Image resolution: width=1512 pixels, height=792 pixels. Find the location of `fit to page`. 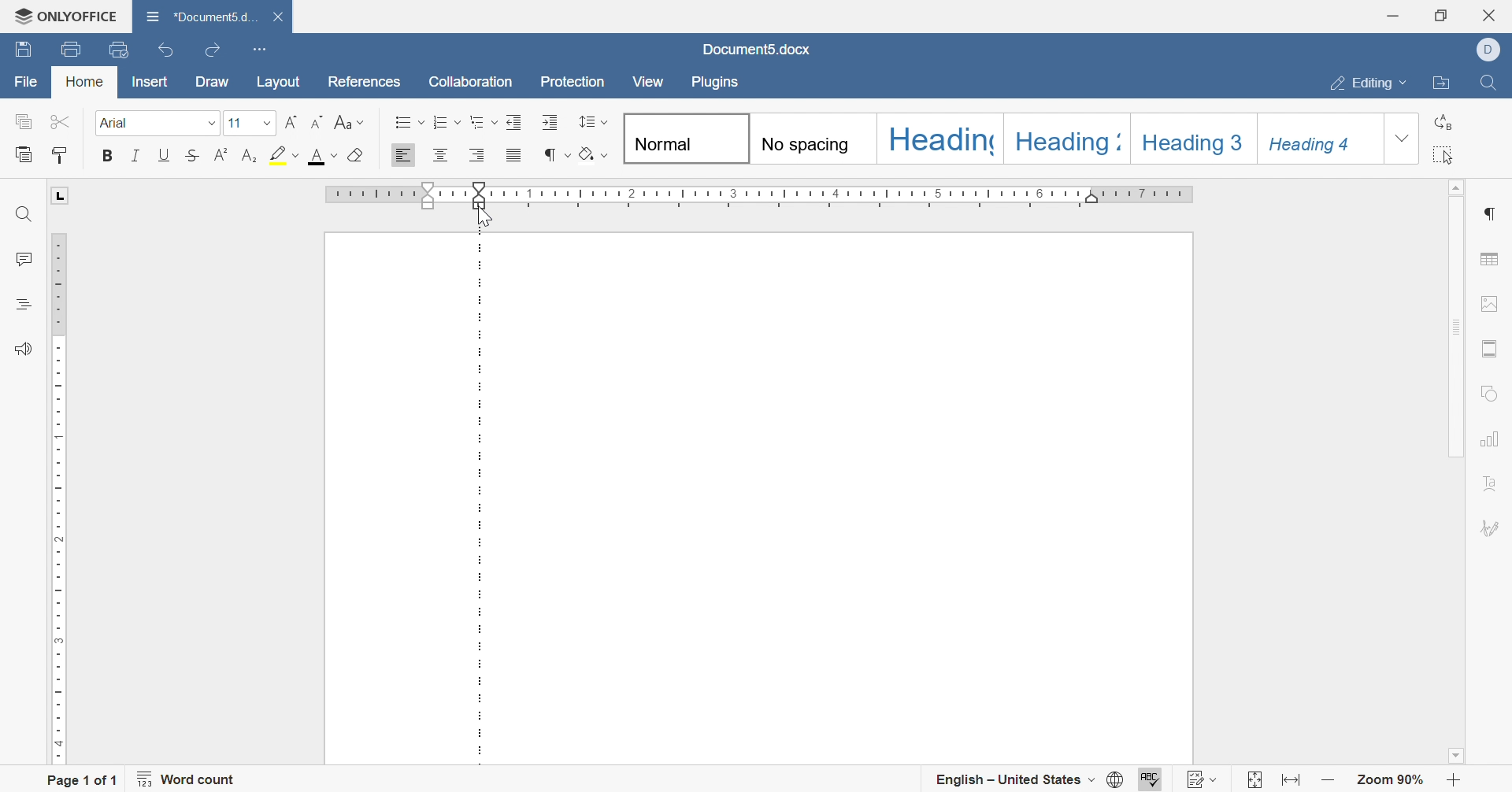

fit to page is located at coordinates (1251, 781).